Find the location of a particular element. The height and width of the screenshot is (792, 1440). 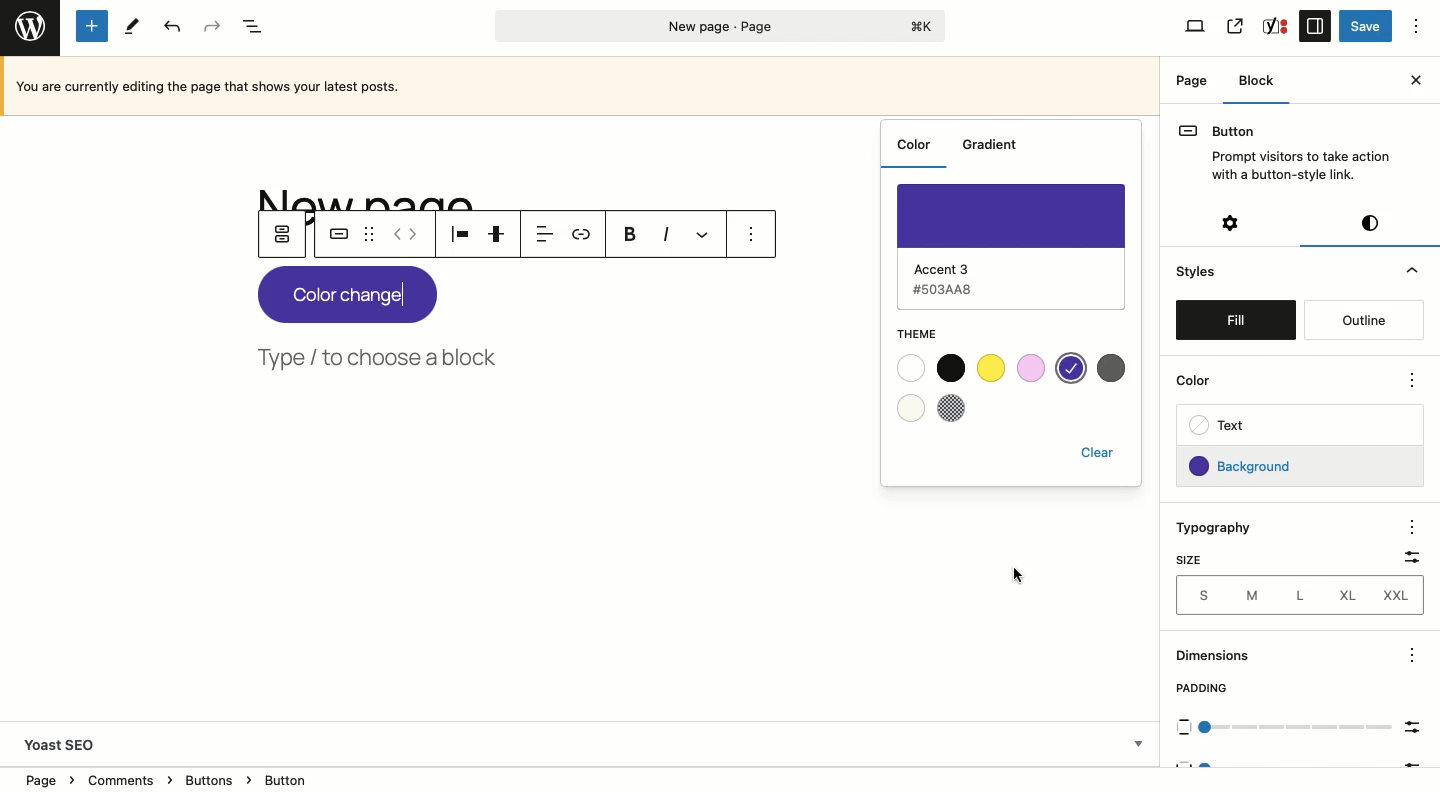

L is located at coordinates (1303, 596).